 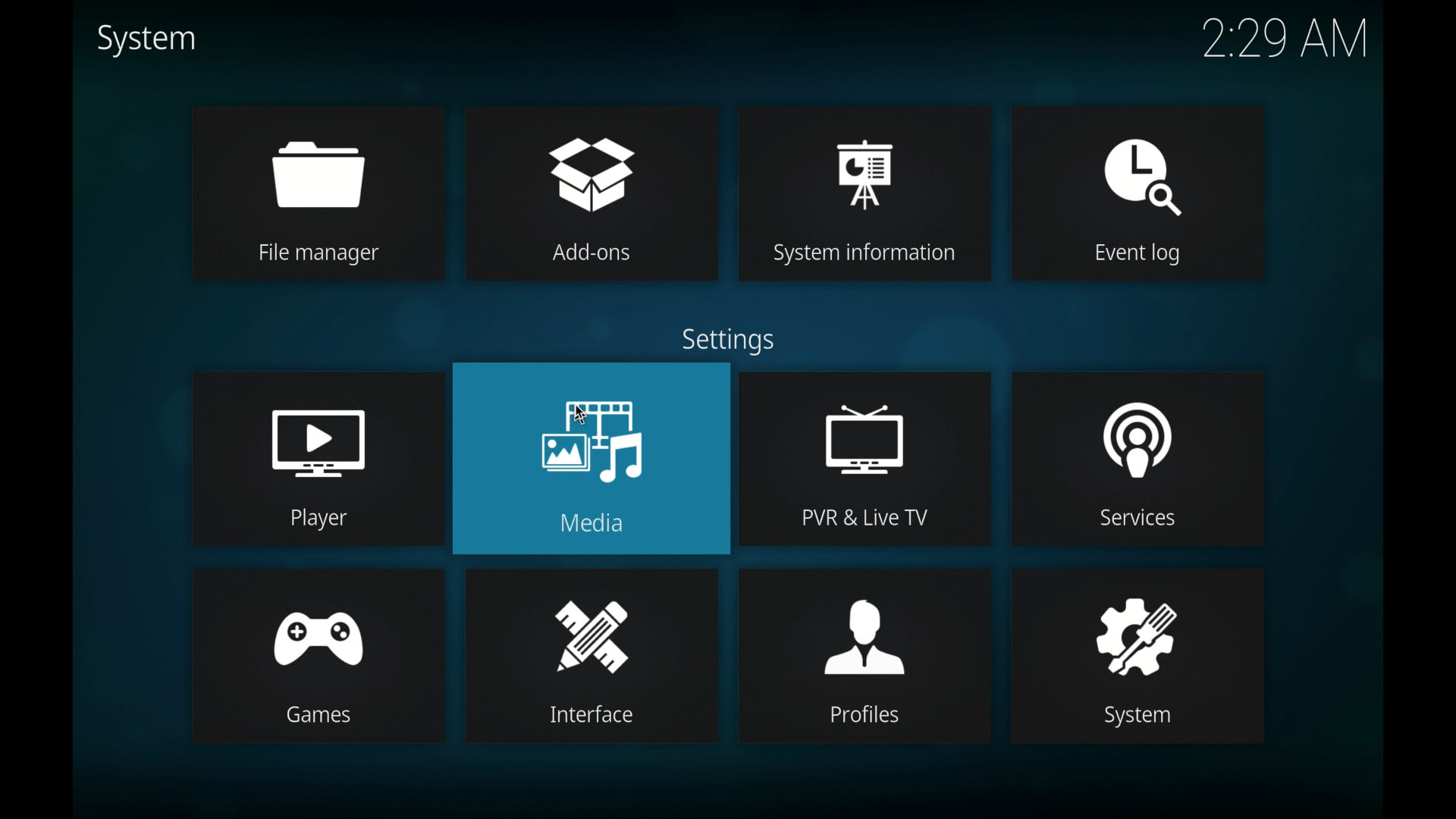 What do you see at coordinates (863, 158) in the screenshot?
I see `system information` at bounding box center [863, 158].